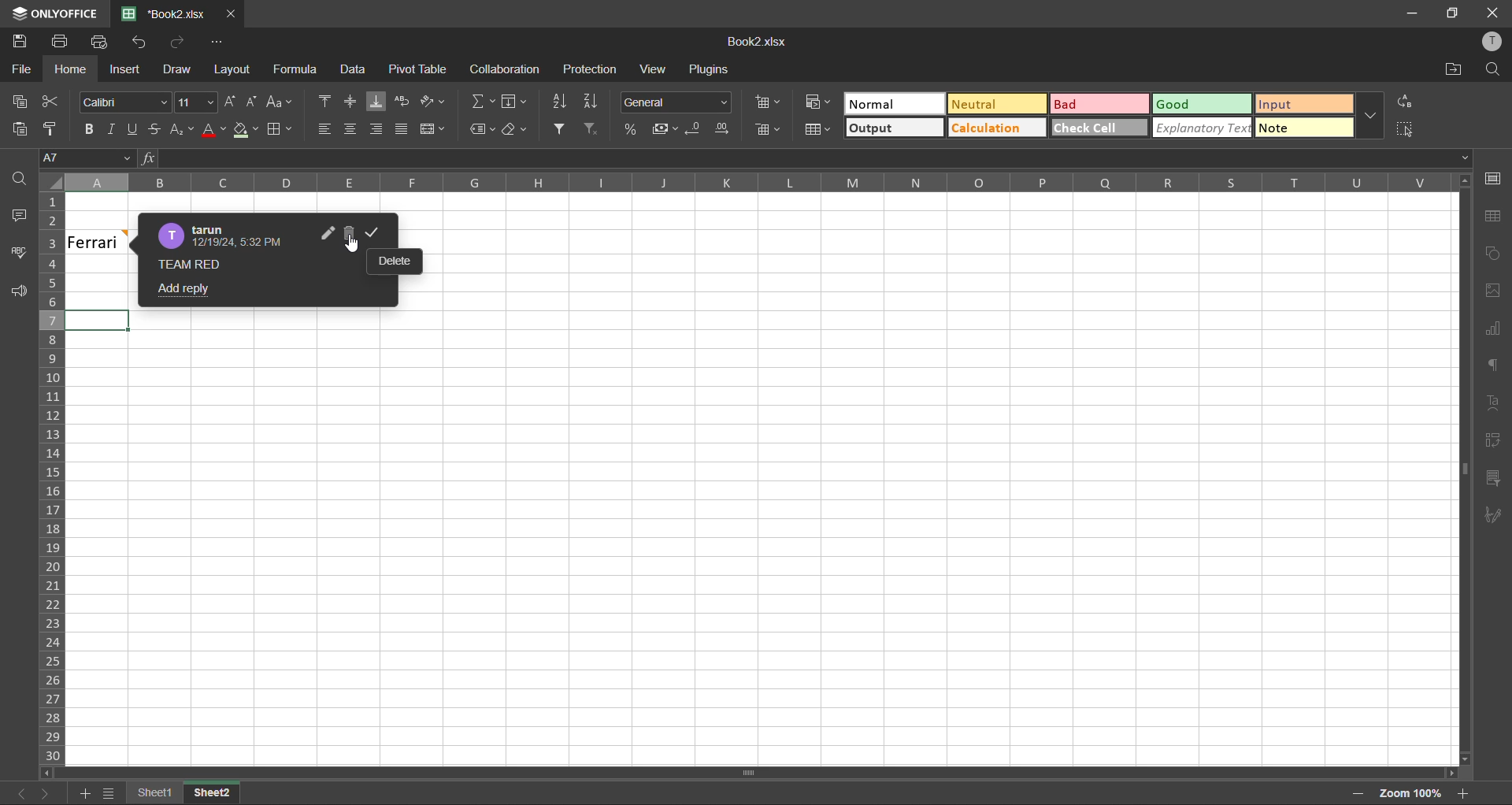 Image resolution: width=1512 pixels, height=805 pixels. What do you see at coordinates (1495, 68) in the screenshot?
I see `Find` at bounding box center [1495, 68].